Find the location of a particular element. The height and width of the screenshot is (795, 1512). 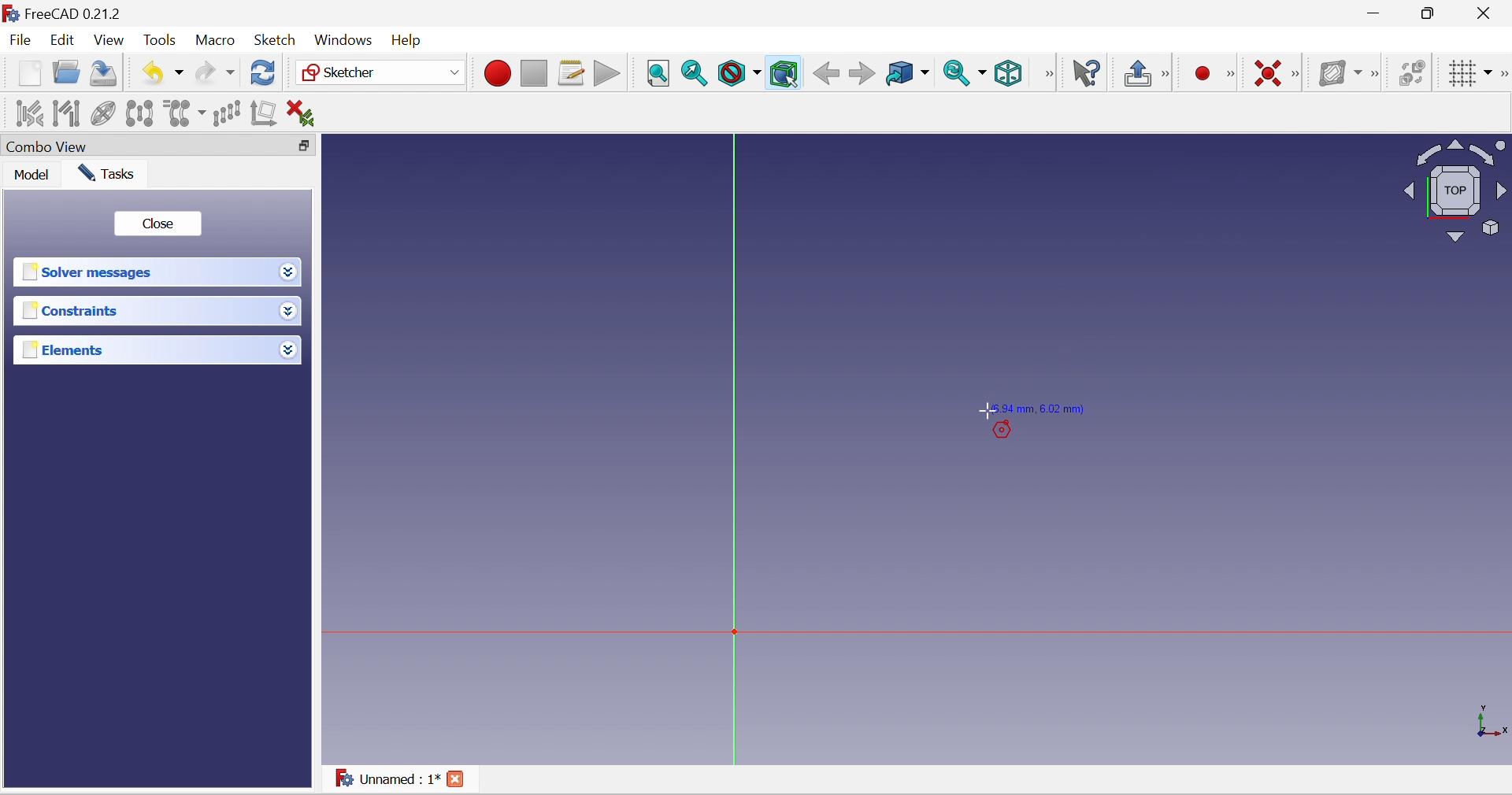

Sketch is located at coordinates (275, 40).